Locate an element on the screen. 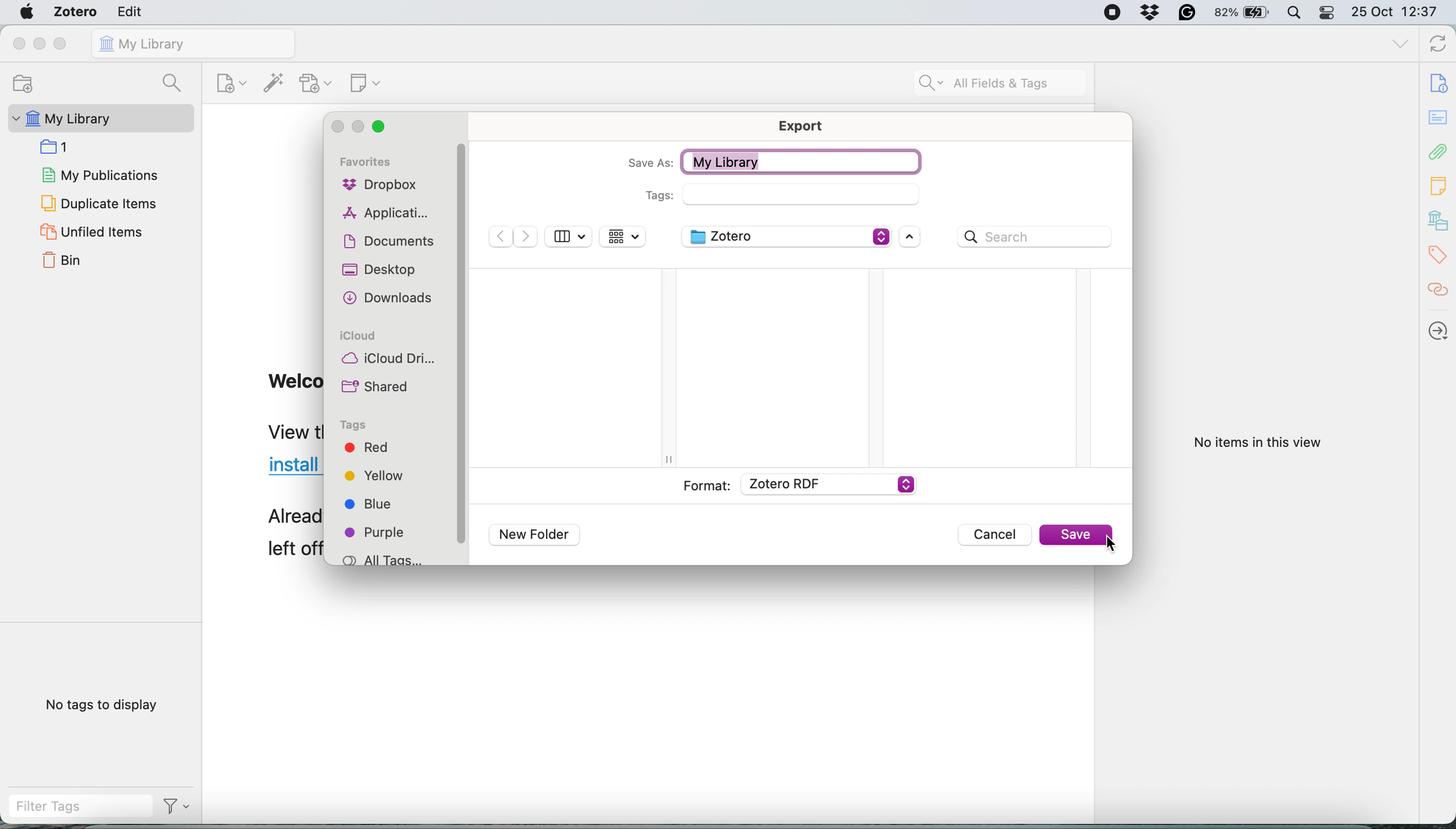 The image size is (1456, 829). add attachment is located at coordinates (318, 83).